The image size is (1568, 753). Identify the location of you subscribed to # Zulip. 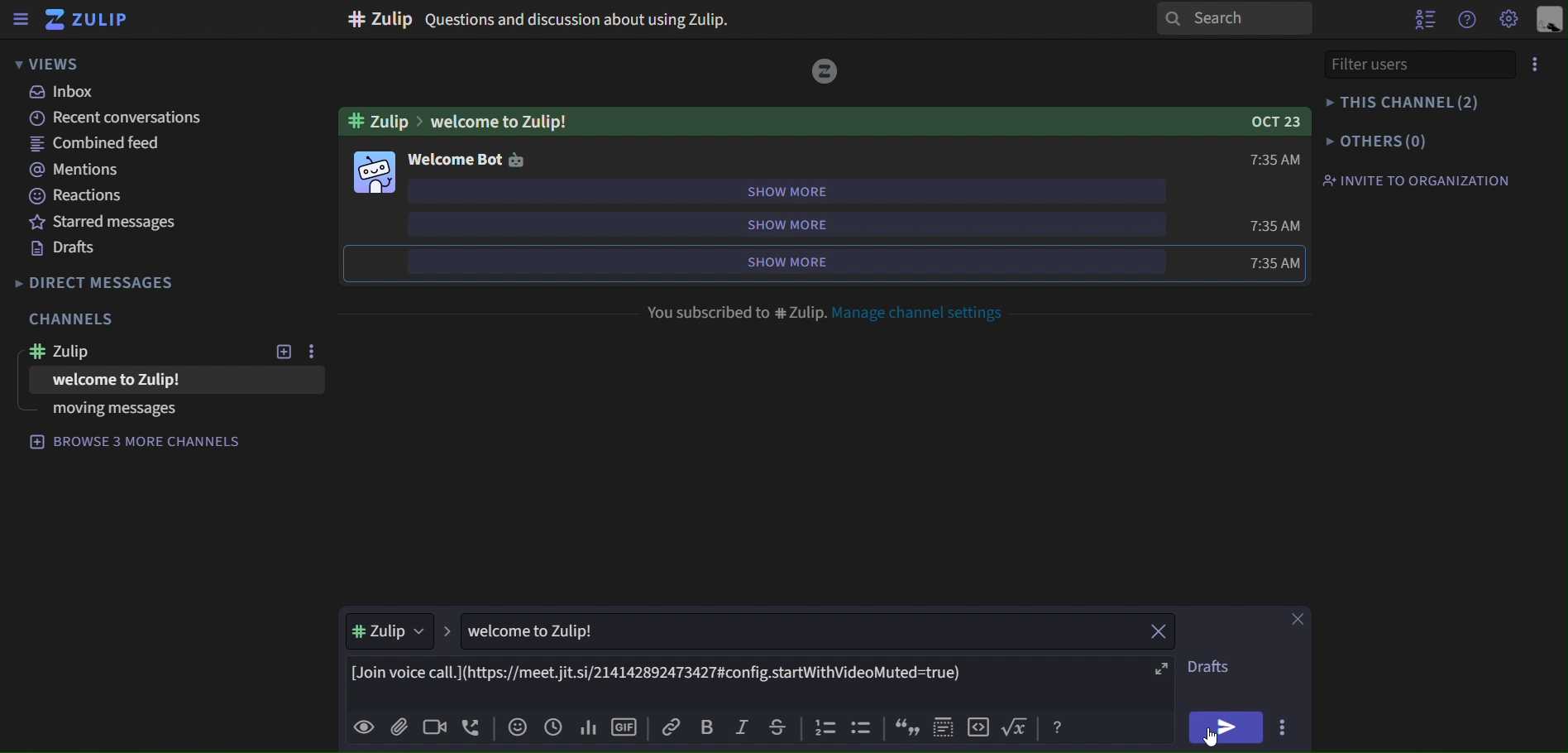
(735, 309).